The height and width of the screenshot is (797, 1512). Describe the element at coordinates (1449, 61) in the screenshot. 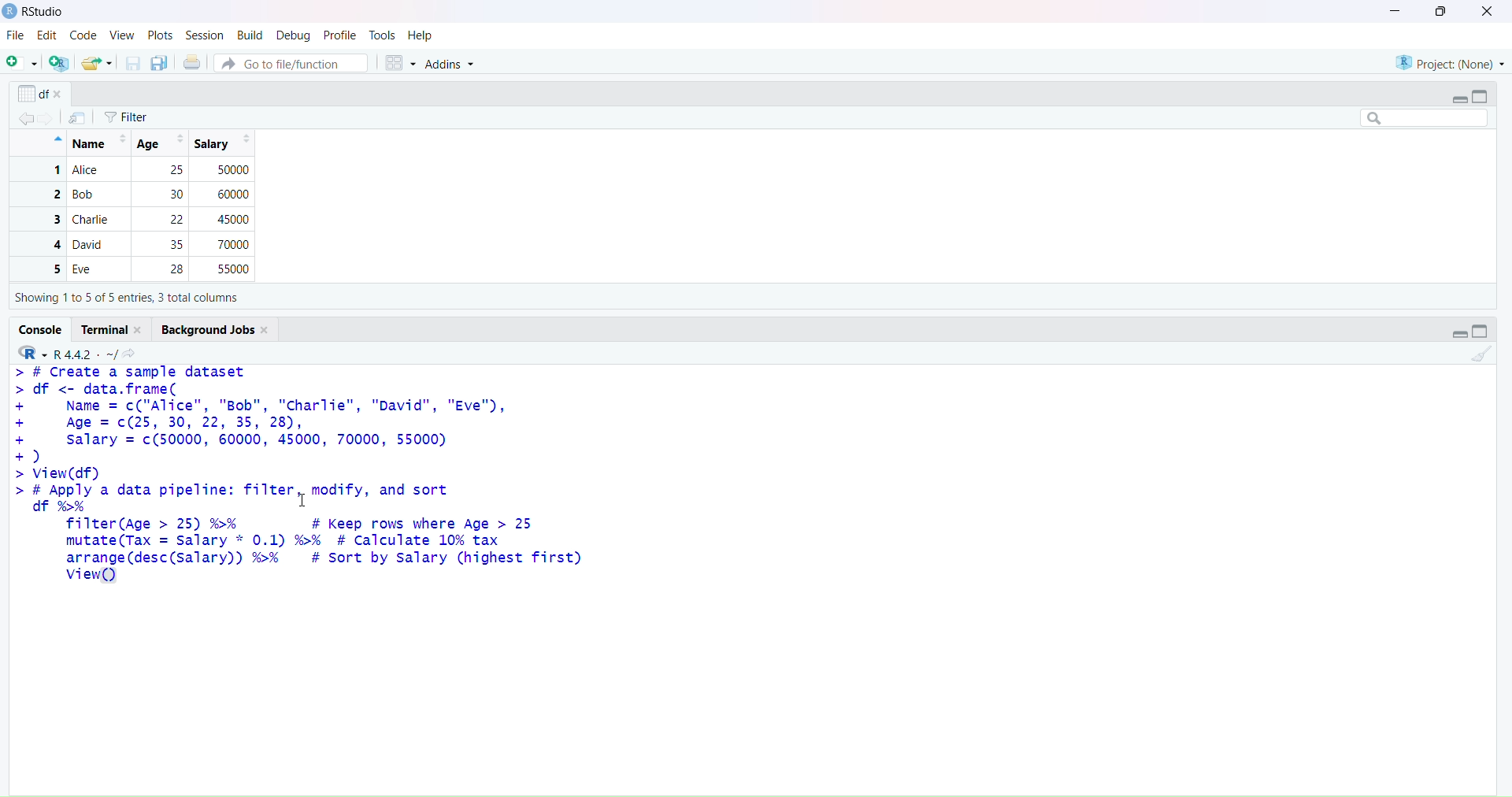

I see `project(None)` at that location.